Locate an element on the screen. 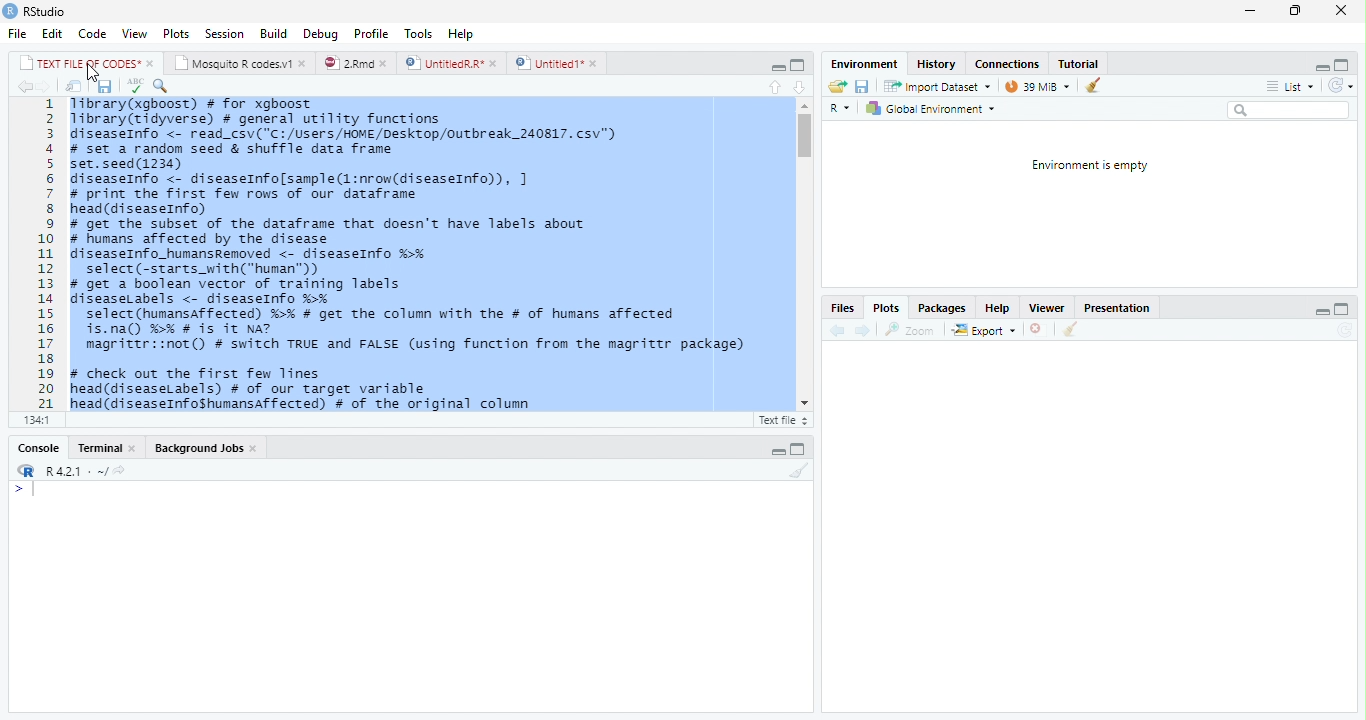 Image resolution: width=1366 pixels, height=720 pixels. Tools is located at coordinates (418, 33).